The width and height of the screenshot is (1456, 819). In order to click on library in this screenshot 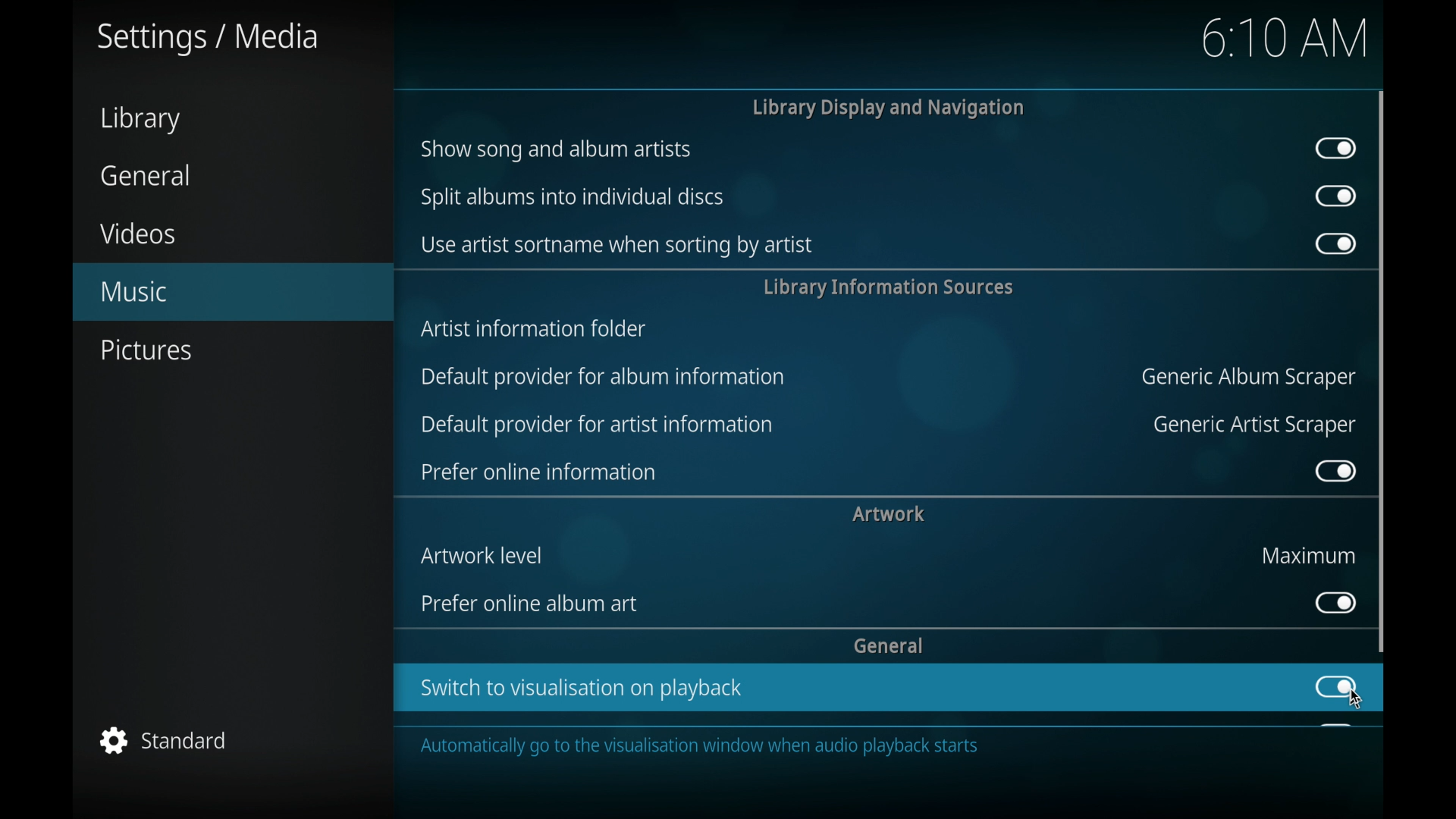, I will do `click(140, 120)`.